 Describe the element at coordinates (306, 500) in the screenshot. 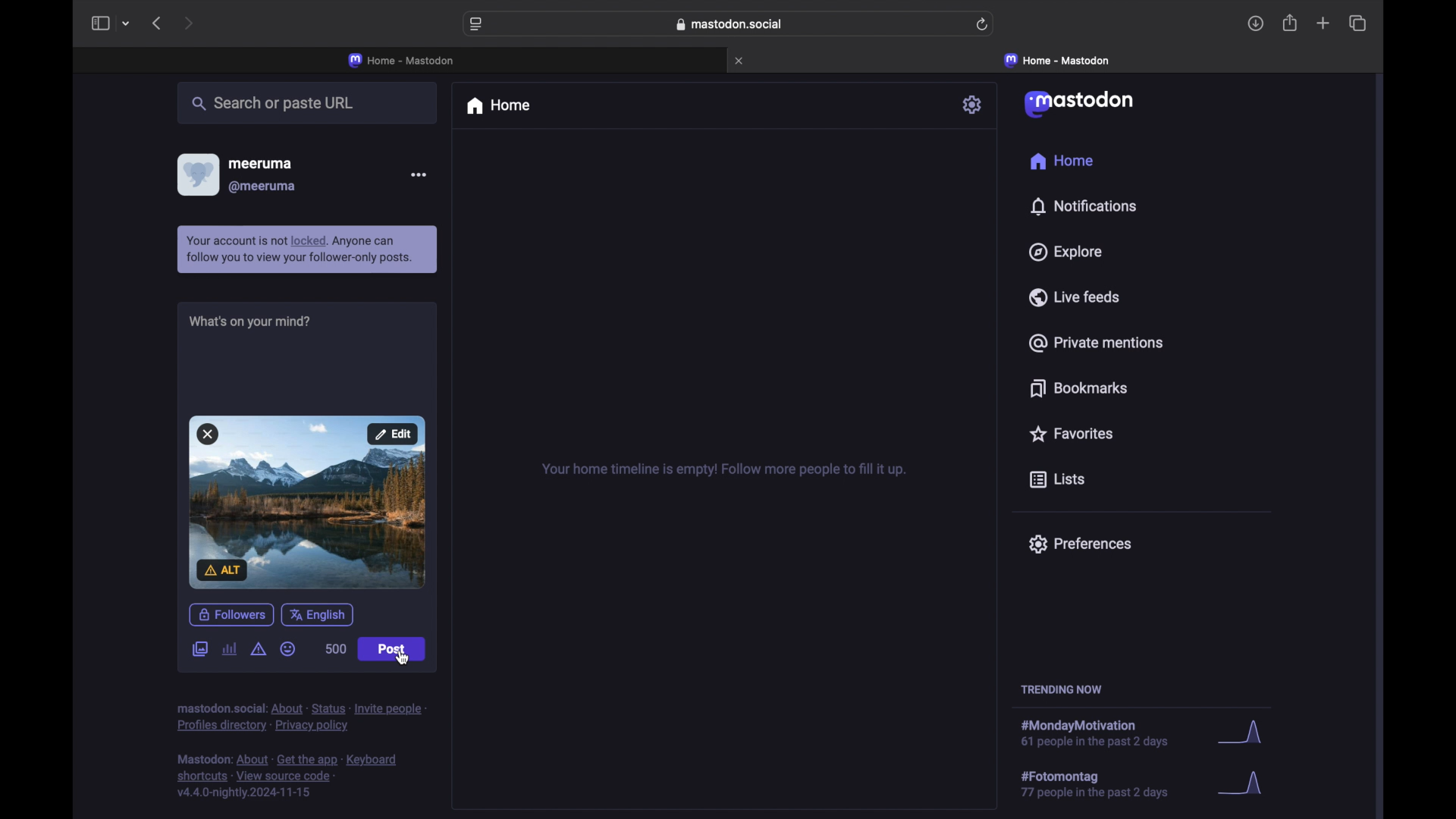

I see `image` at that location.